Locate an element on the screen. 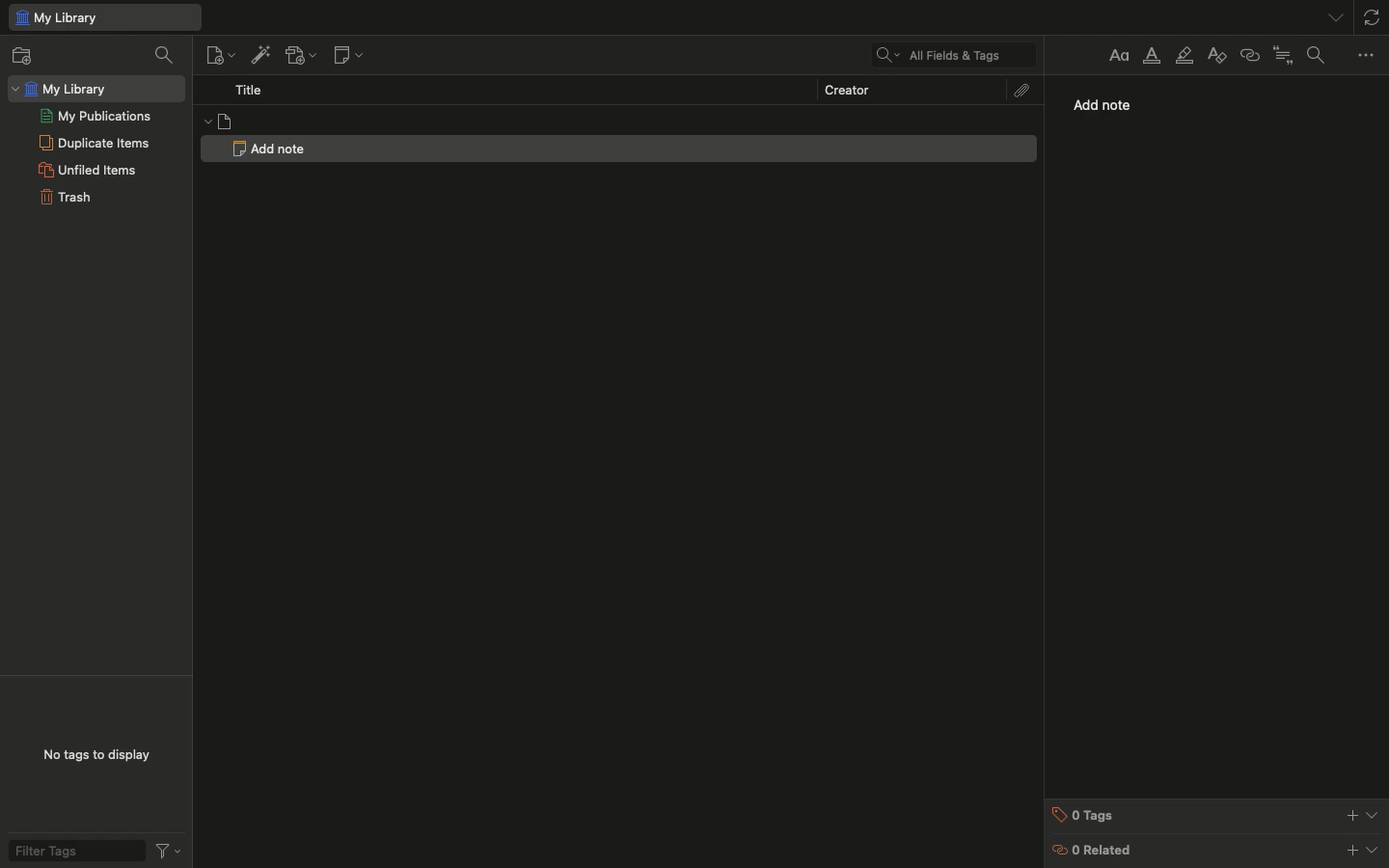 This screenshot has width=1389, height=868. related is located at coordinates (1217, 851).